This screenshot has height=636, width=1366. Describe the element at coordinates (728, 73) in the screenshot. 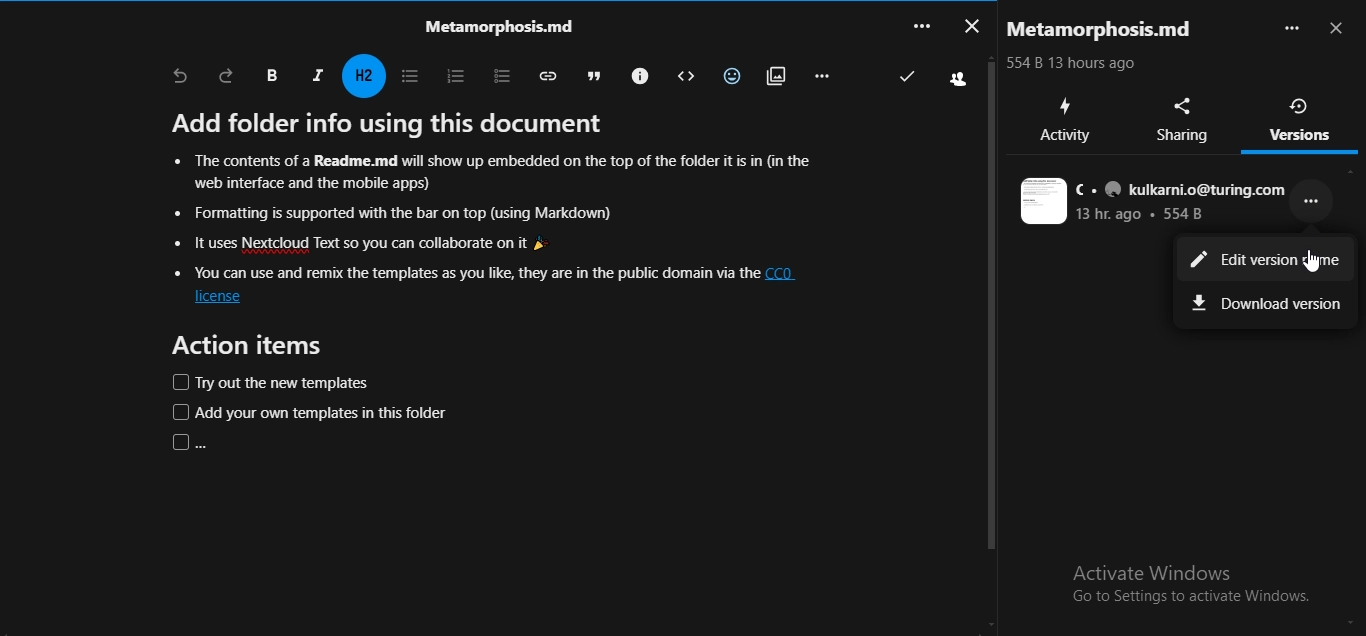

I see `insert emoji` at that location.